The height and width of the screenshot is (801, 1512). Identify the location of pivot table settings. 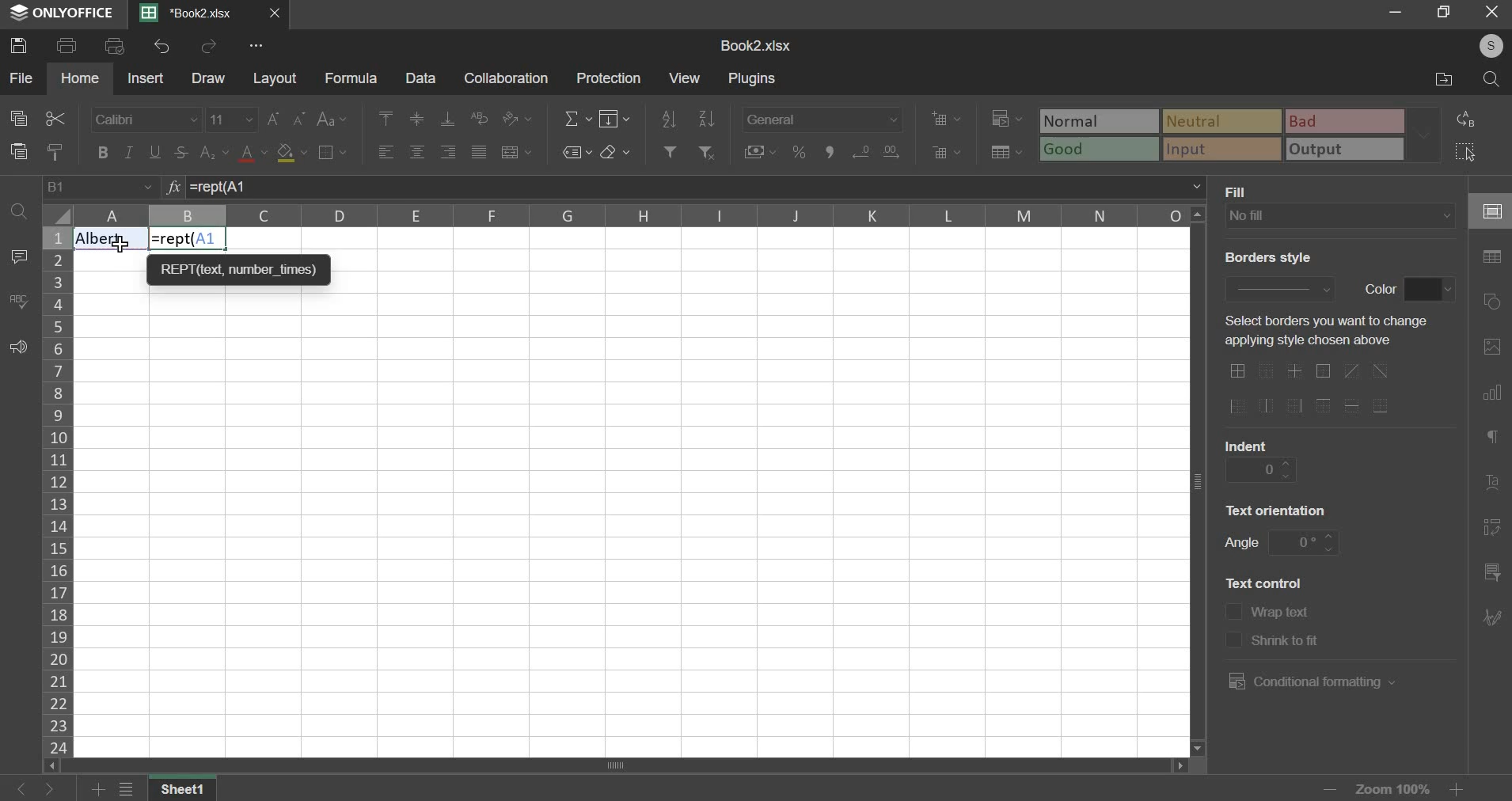
(1492, 529).